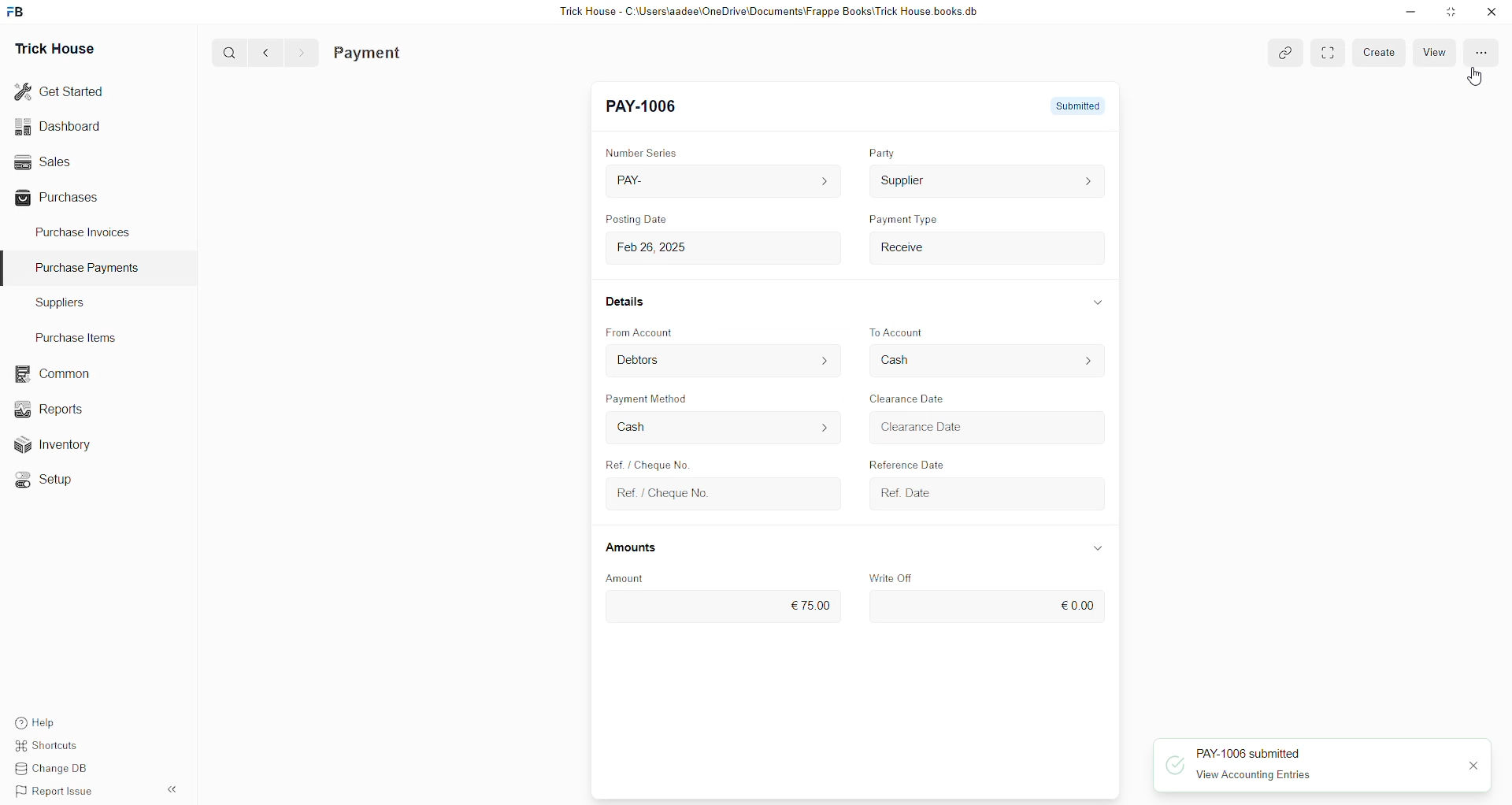  What do you see at coordinates (1063, 104) in the screenshot?
I see `submitted` at bounding box center [1063, 104].